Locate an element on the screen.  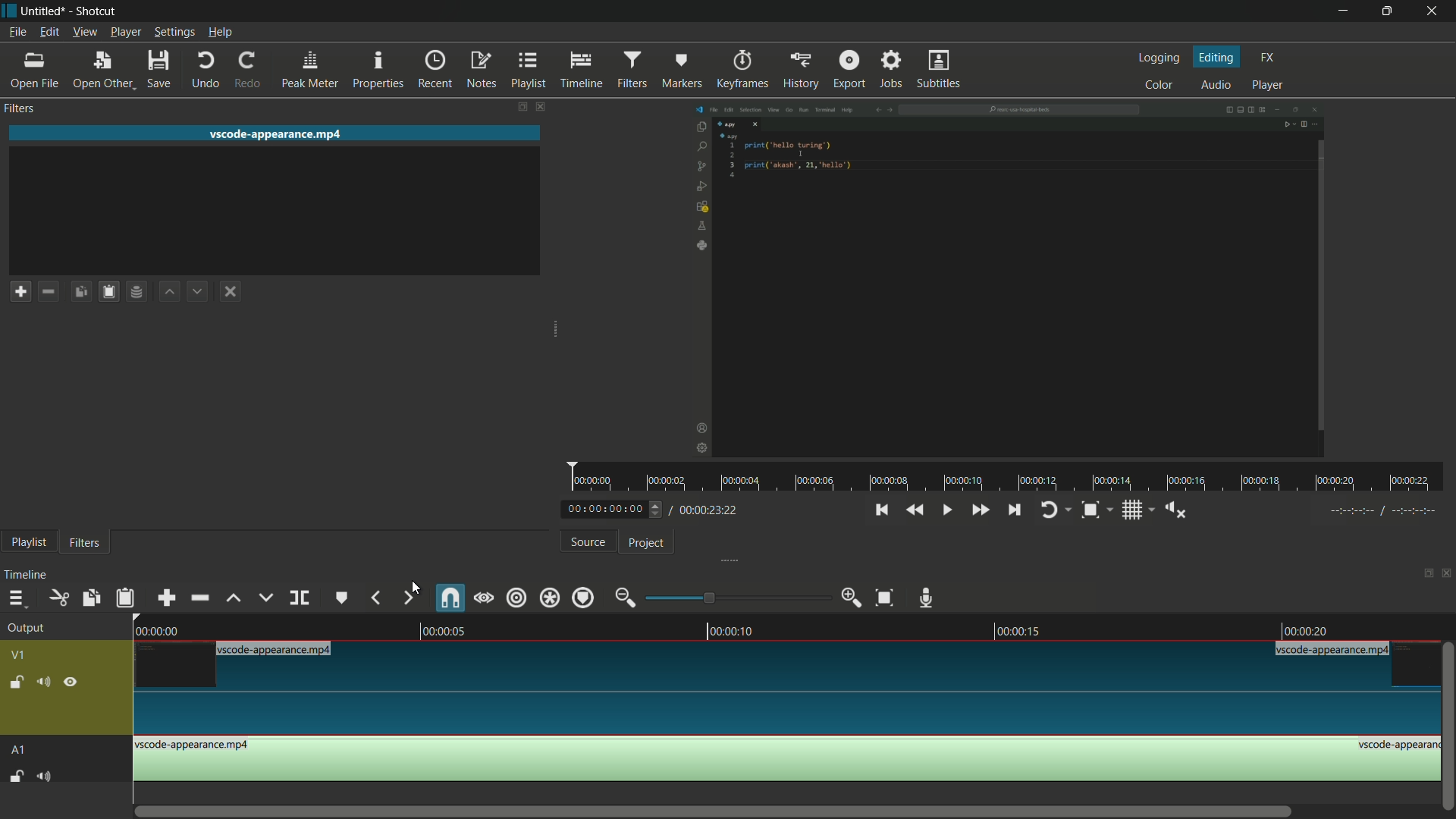
ripple markers is located at coordinates (584, 598).